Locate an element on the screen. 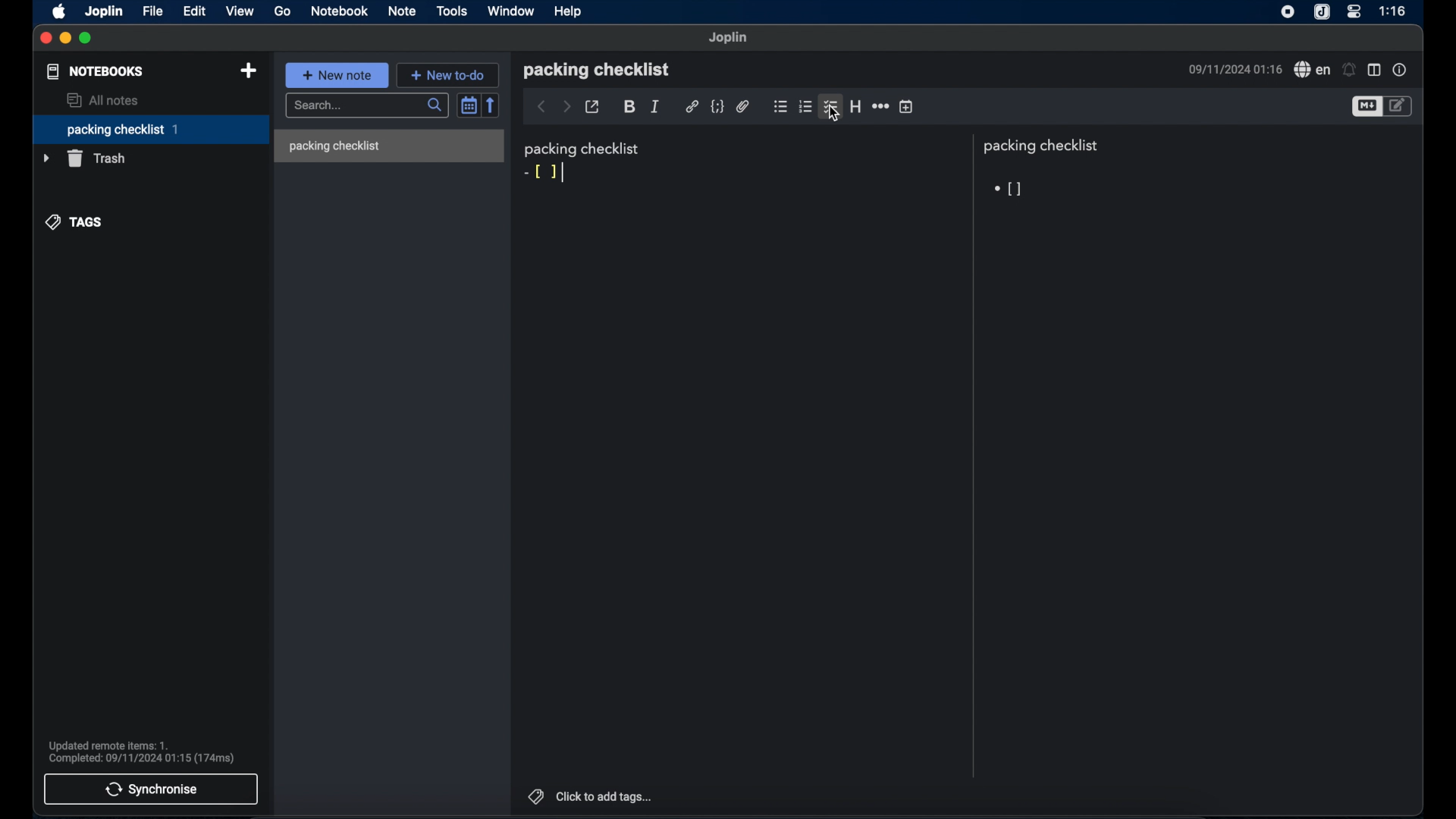 Image resolution: width=1456 pixels, height=819 pixels. cursor is located at coordinates (835, 112).